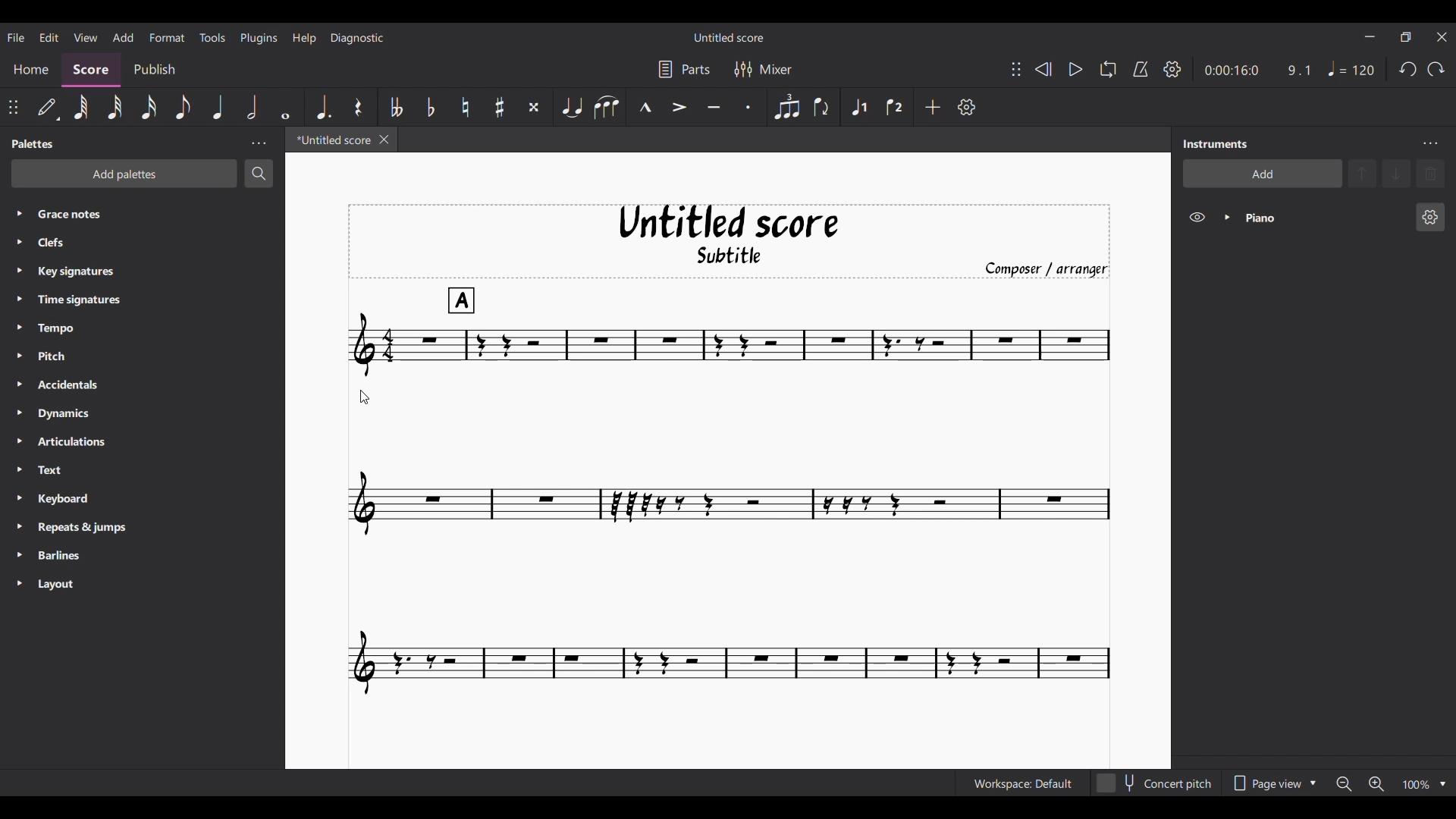  I want to click on Score name, so click(728, 37).